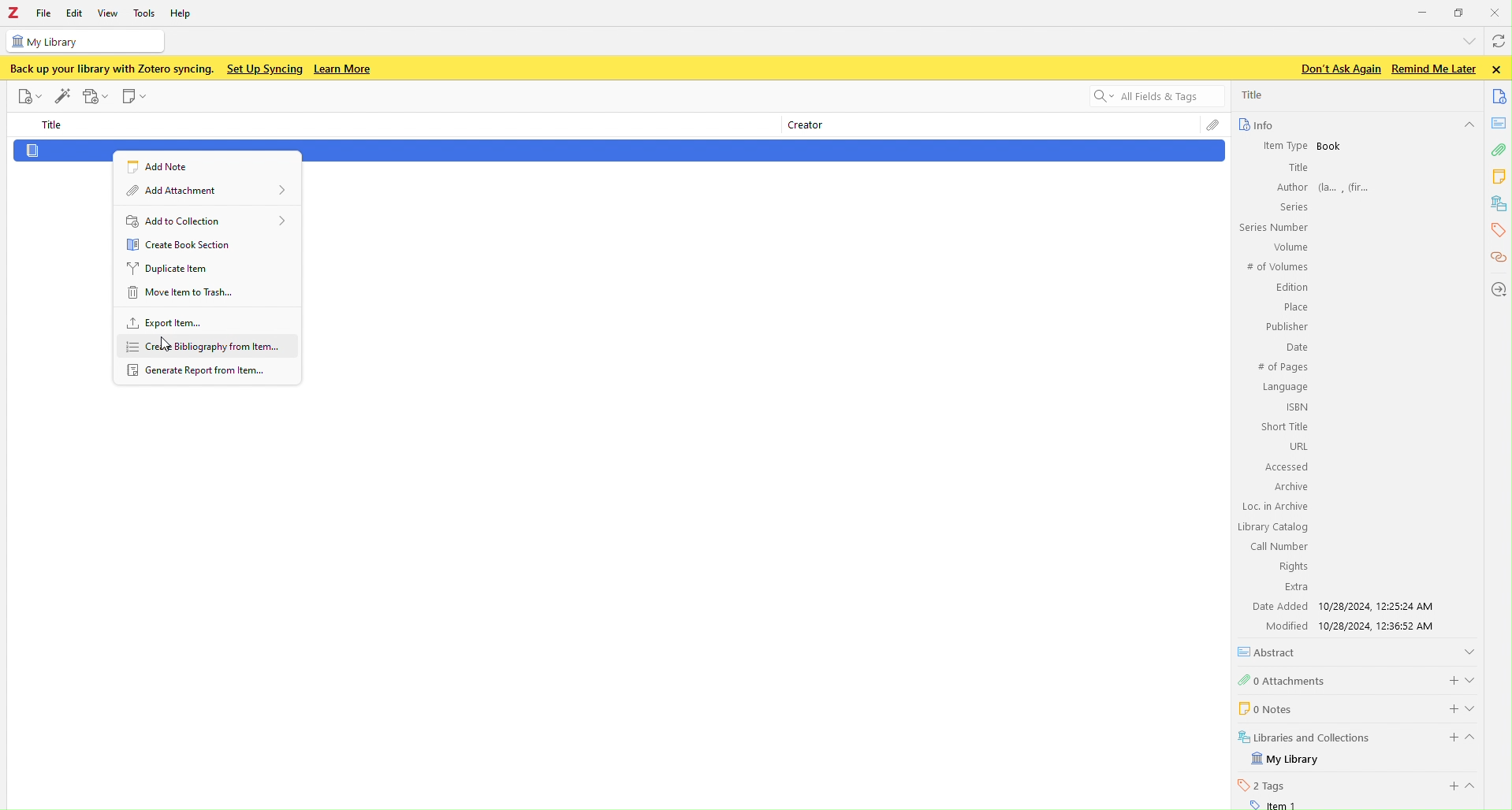 This screenshot has height=810, width=1512. What do you see at coordinates (1285, 326) in the screenshot?
I see `Publisher` at bounding box center [1285, 326].